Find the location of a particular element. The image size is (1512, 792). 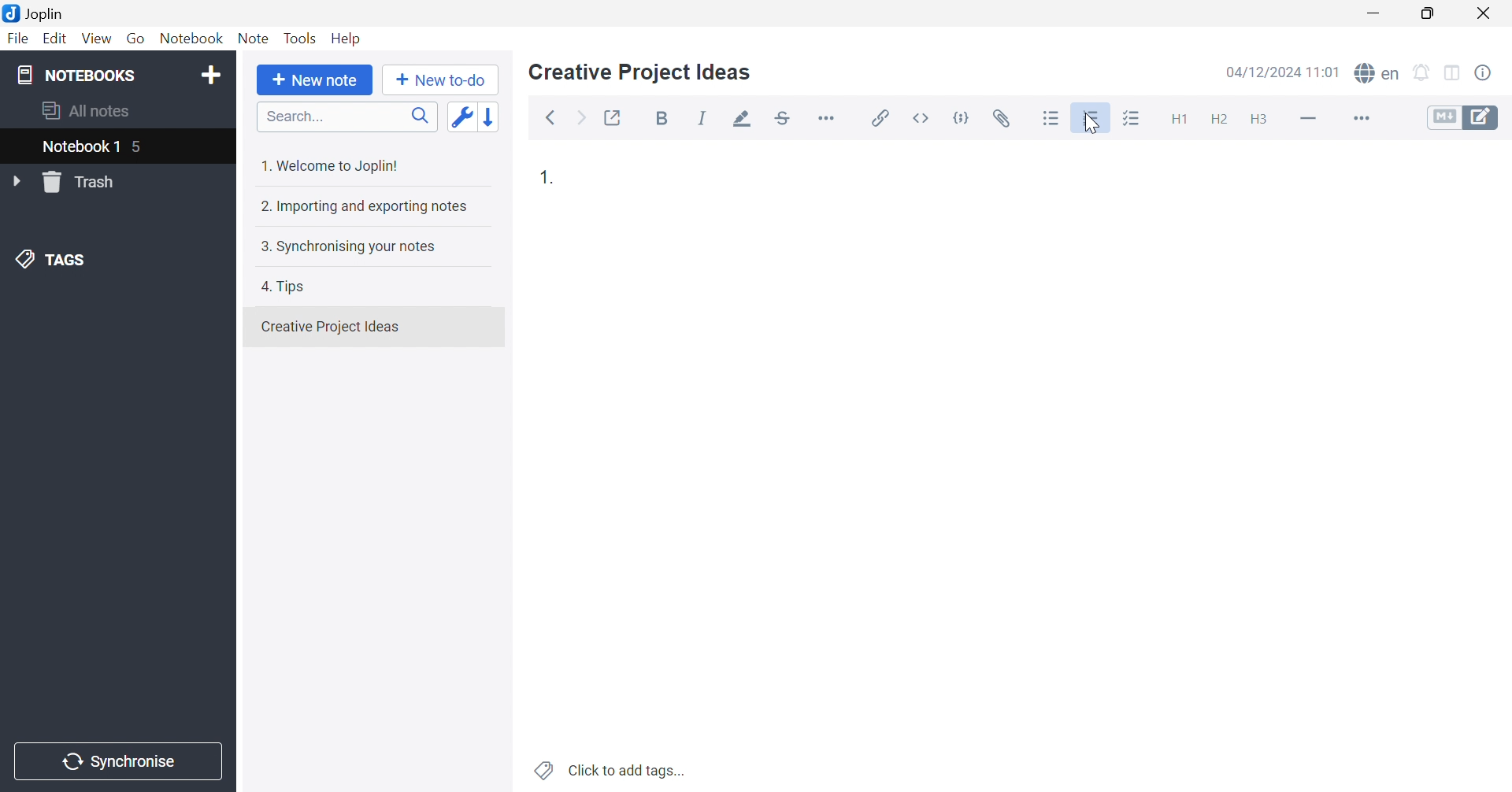

More is located at coordinates (1363, 120).